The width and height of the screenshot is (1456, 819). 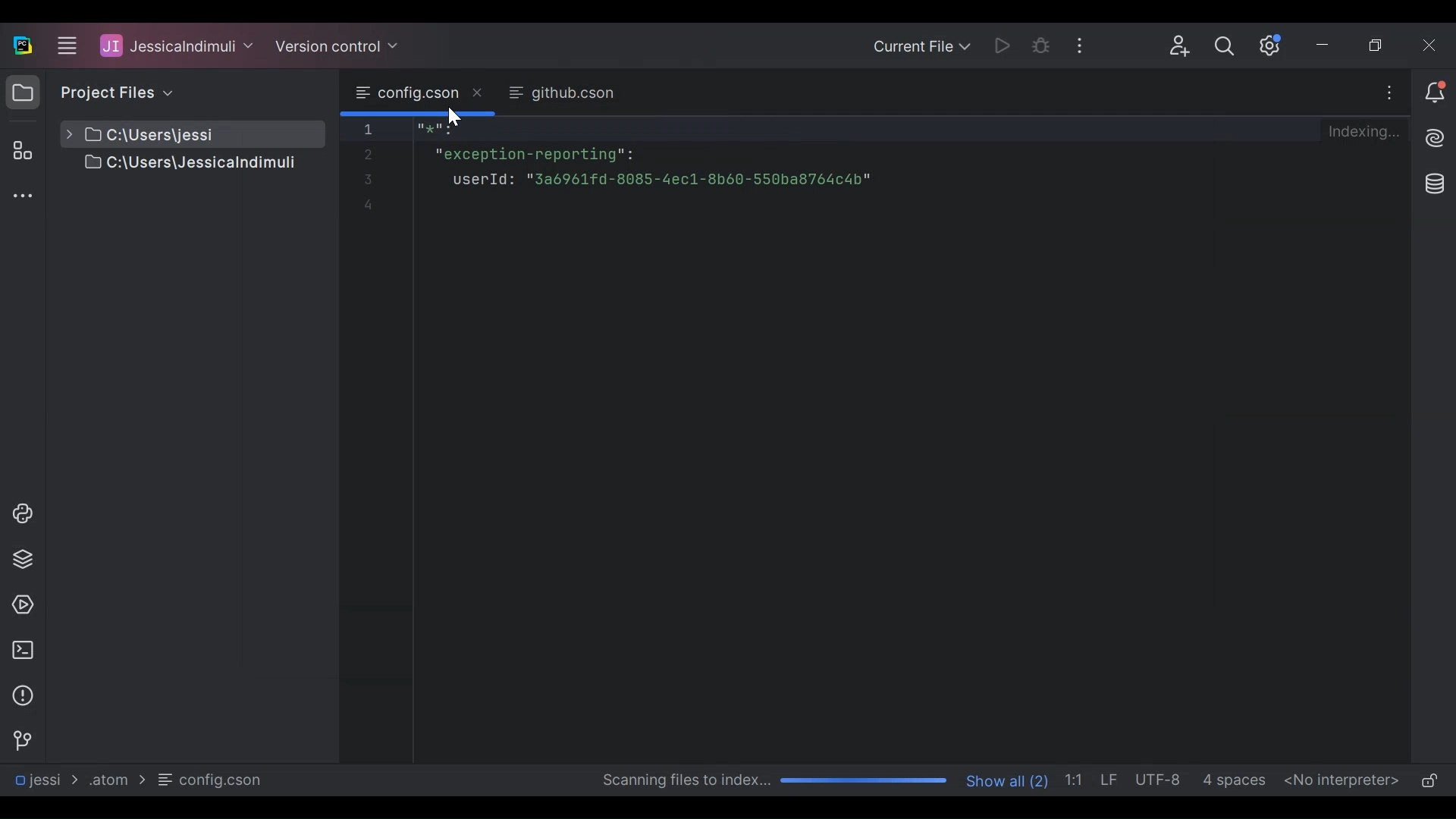 What do you see at coordinates (1082, 45) in the screenshot?
I see `More Options` at bounding box center [1082, 45].